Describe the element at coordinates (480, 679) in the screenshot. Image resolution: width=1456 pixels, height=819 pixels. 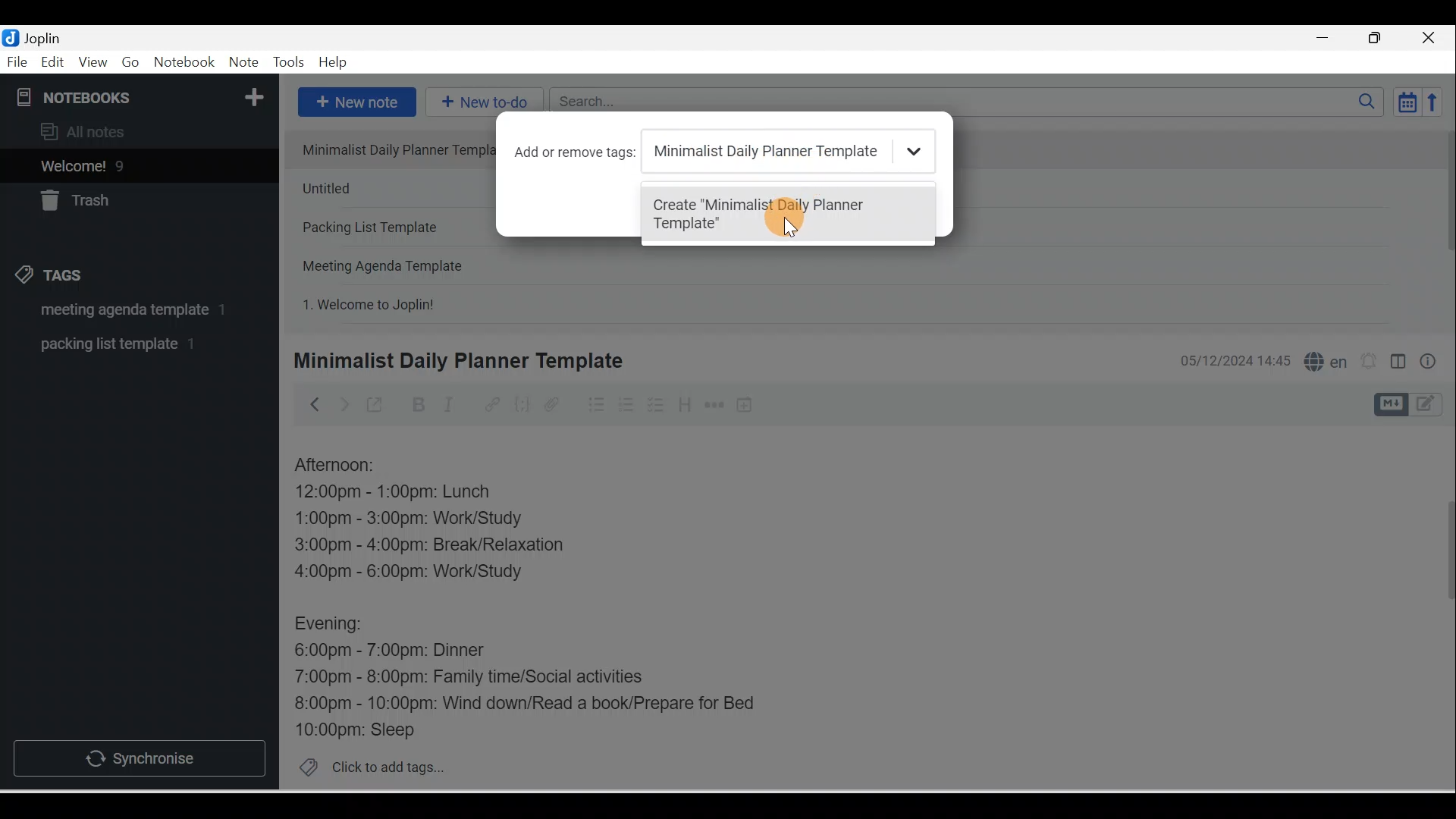
I see `7:00pm - 8:00pm: Family time/Social activities` at that location.